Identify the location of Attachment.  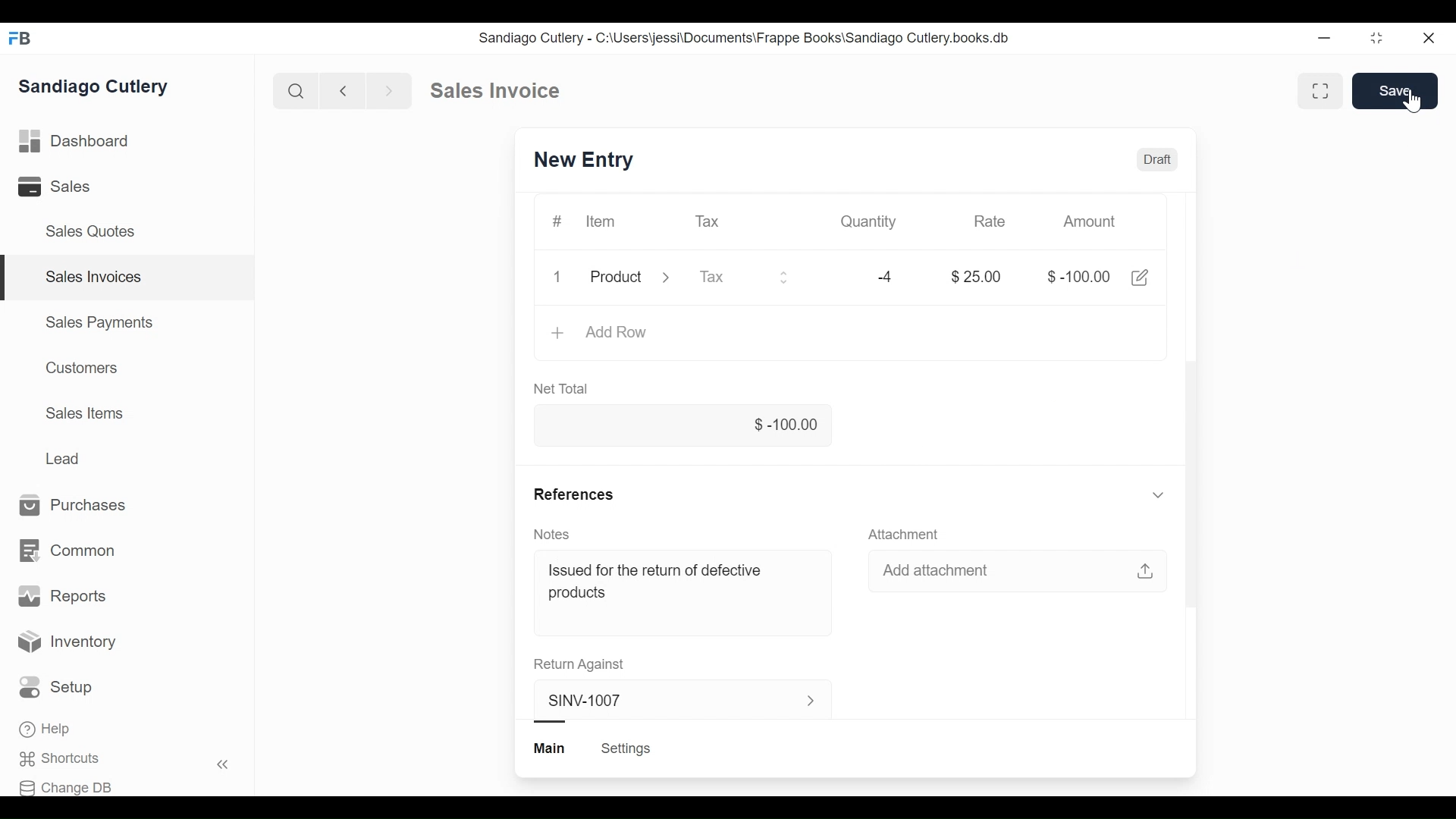
(906, 533).